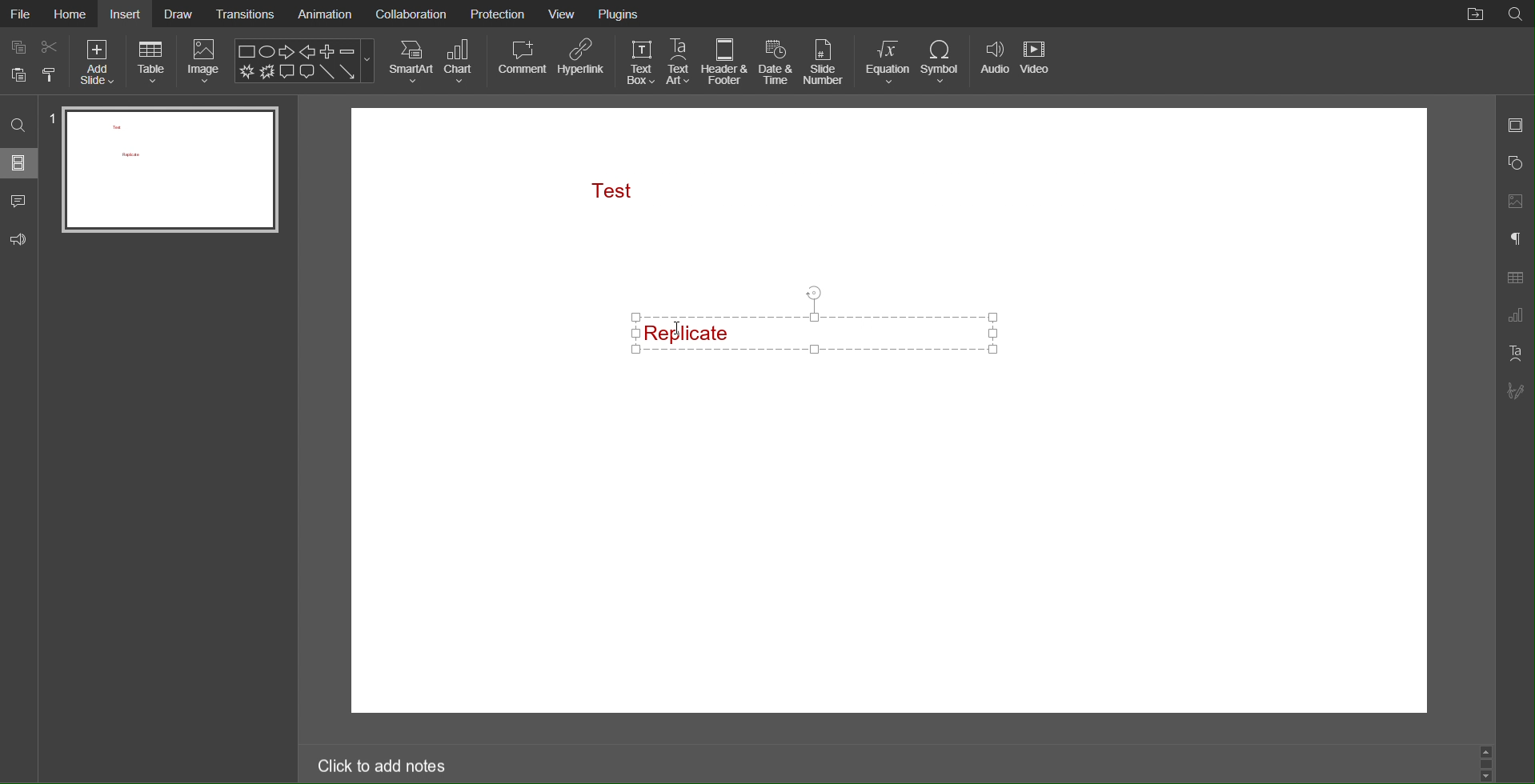 This screenshot has height=784, width=1535. I want to click on Slides, so click(21, 165).